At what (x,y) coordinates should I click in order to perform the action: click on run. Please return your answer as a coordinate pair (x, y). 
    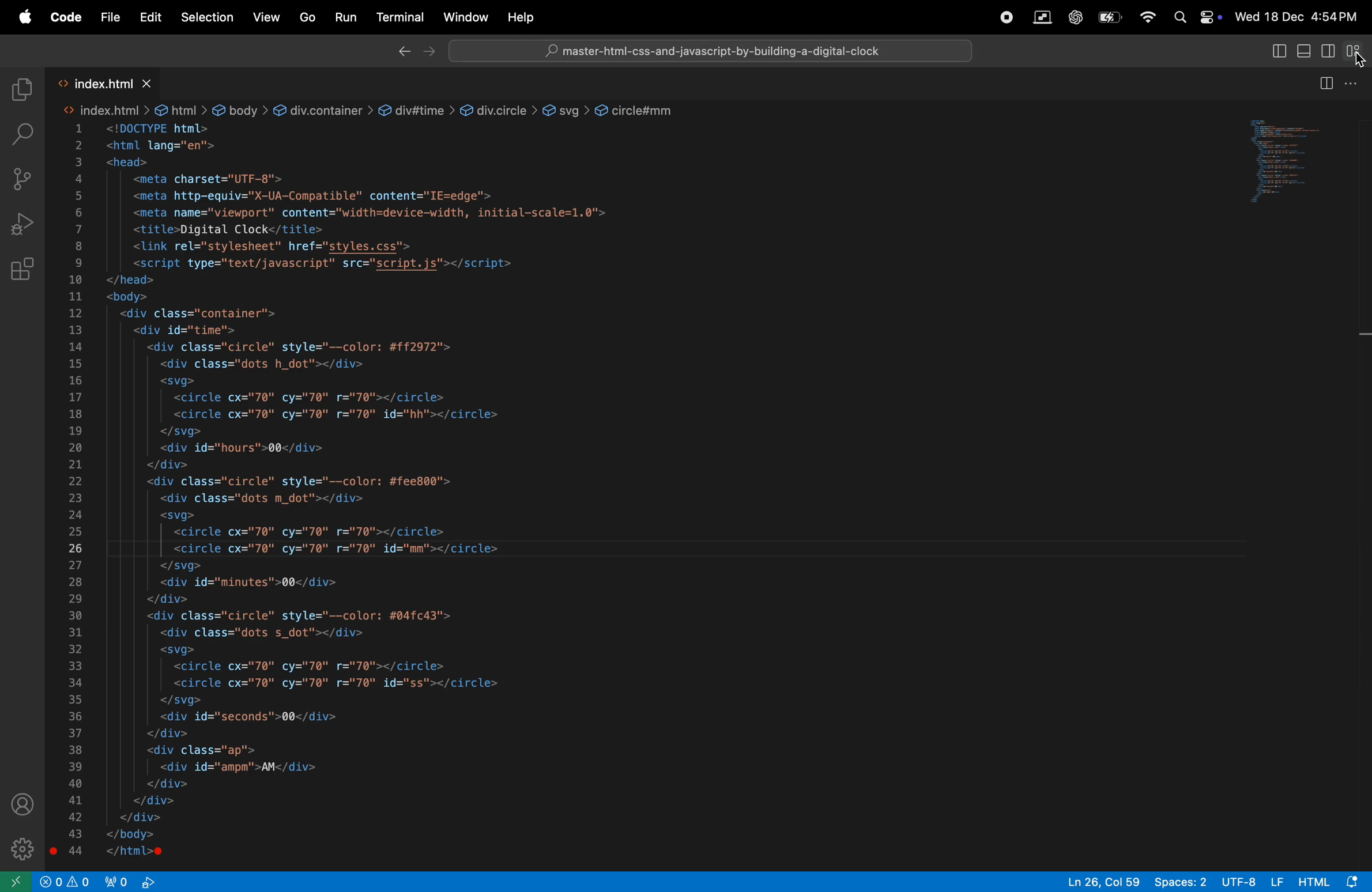
    Looking at the image, I should click on (345, 17).